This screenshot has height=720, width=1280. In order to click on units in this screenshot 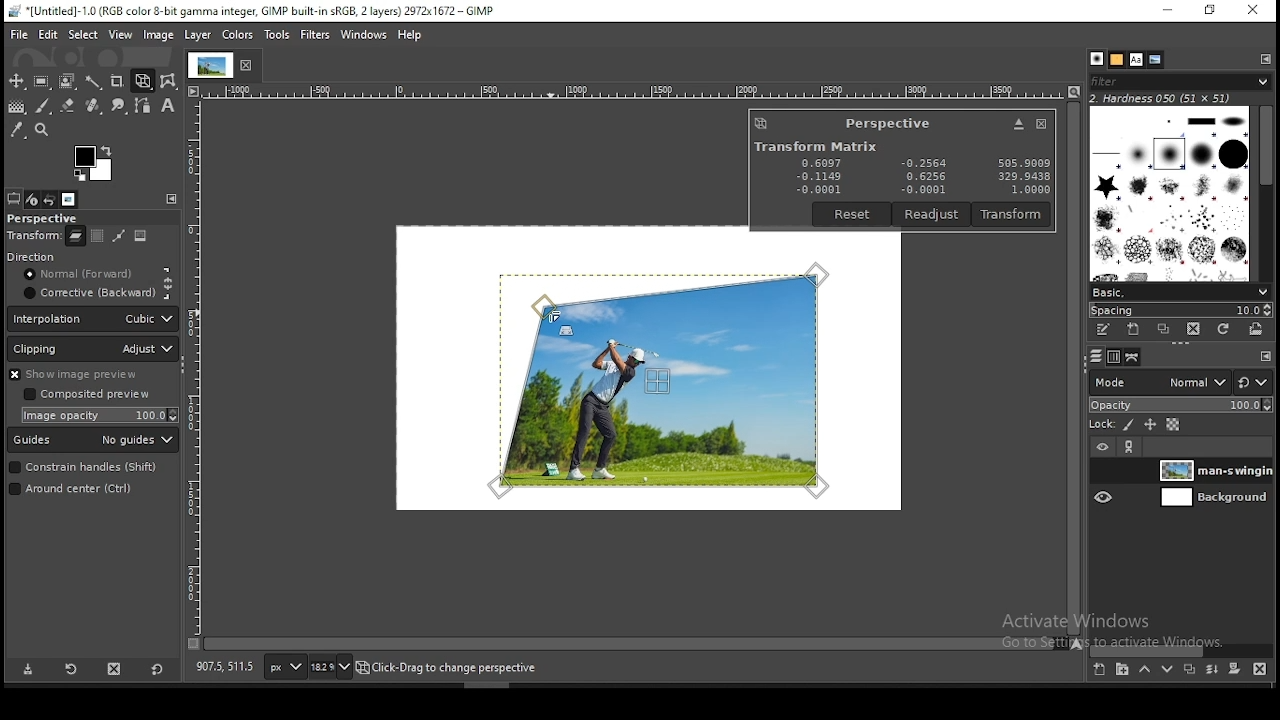, I will do `click(284, 667)`.